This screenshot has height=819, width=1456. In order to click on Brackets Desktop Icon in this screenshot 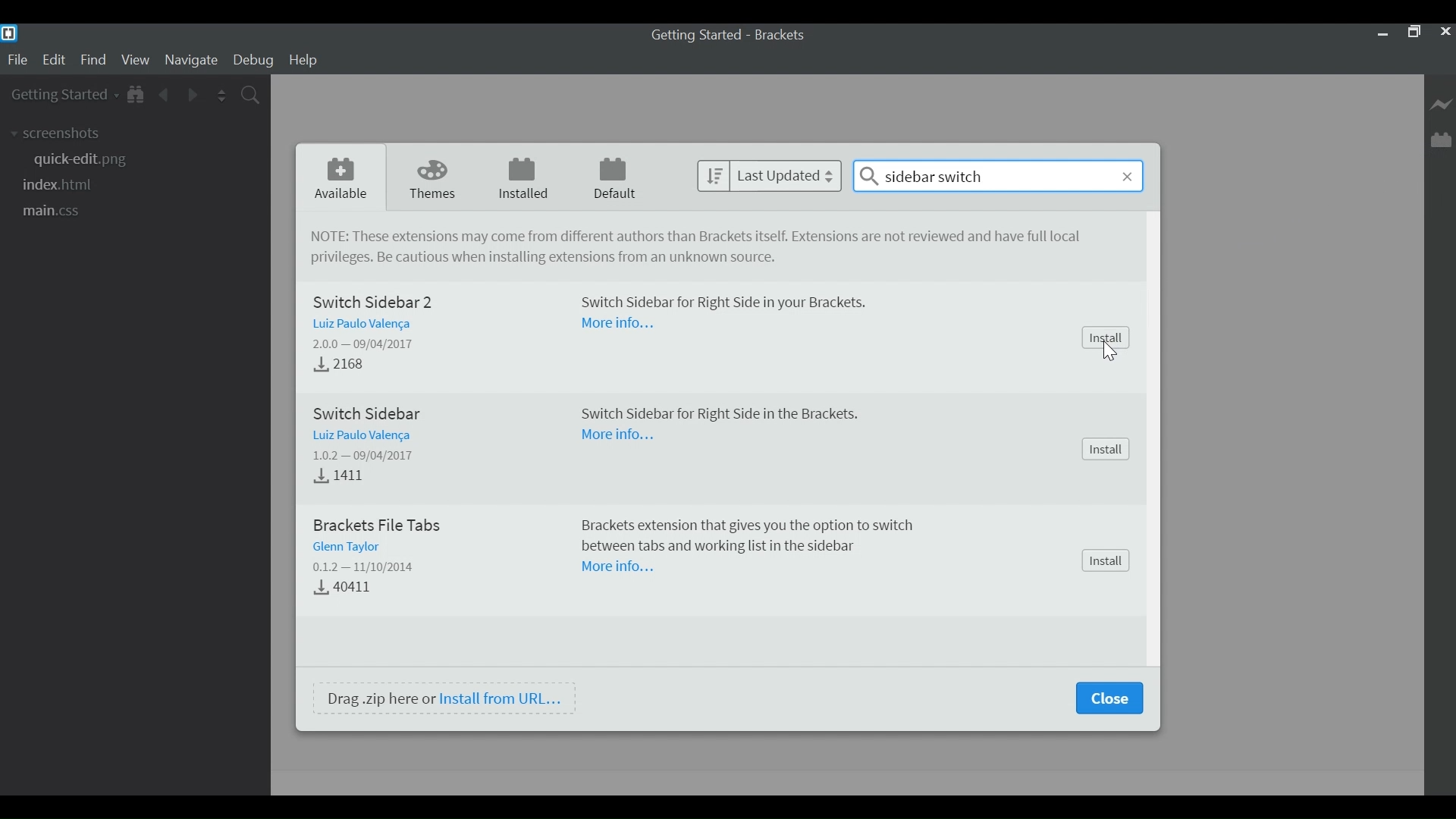, I will do `click(9, 33)`.